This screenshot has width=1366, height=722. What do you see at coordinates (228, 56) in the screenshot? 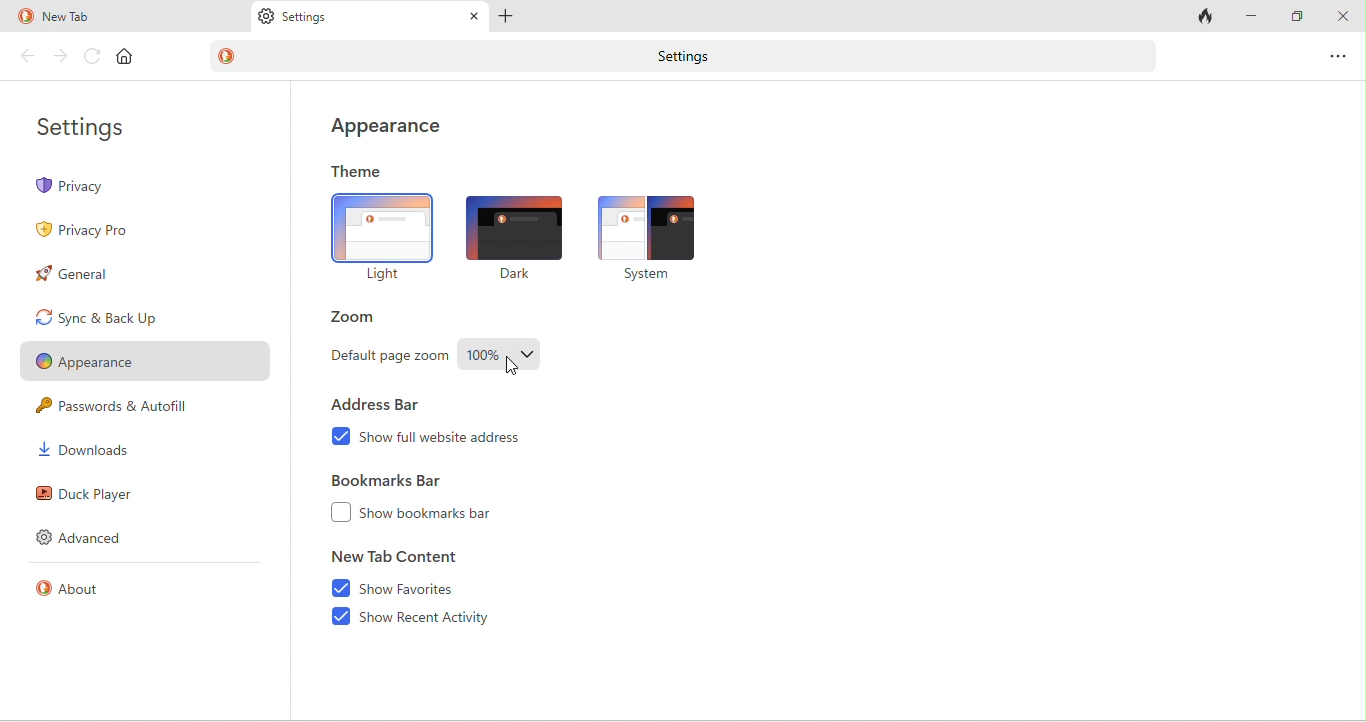
I see `duck duck go logo` at bounding box center [228, 56].